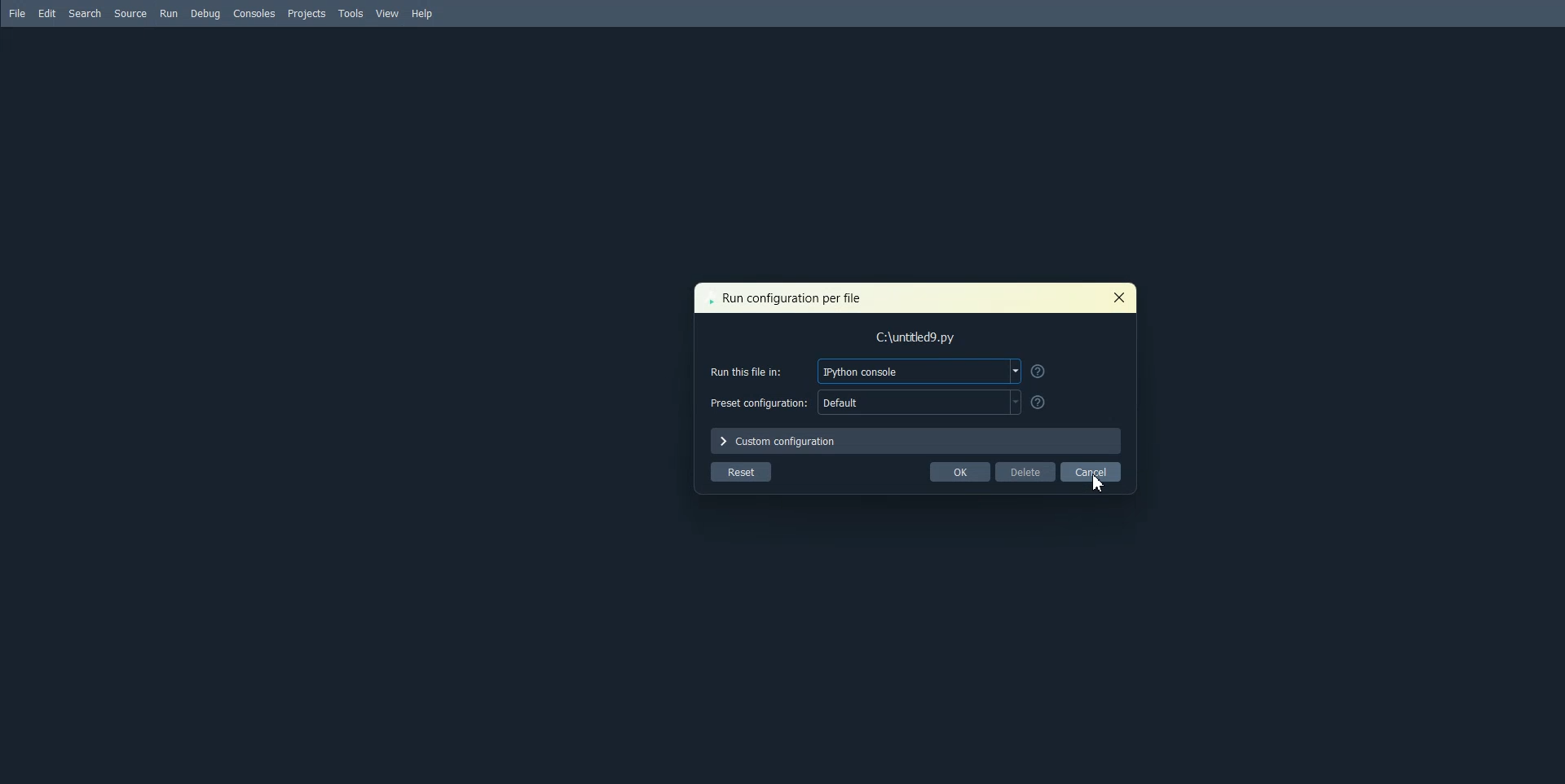 The height and width of the screenshot is (784, 1565). I want to click on C:\untided9.py, so click(924, 339).